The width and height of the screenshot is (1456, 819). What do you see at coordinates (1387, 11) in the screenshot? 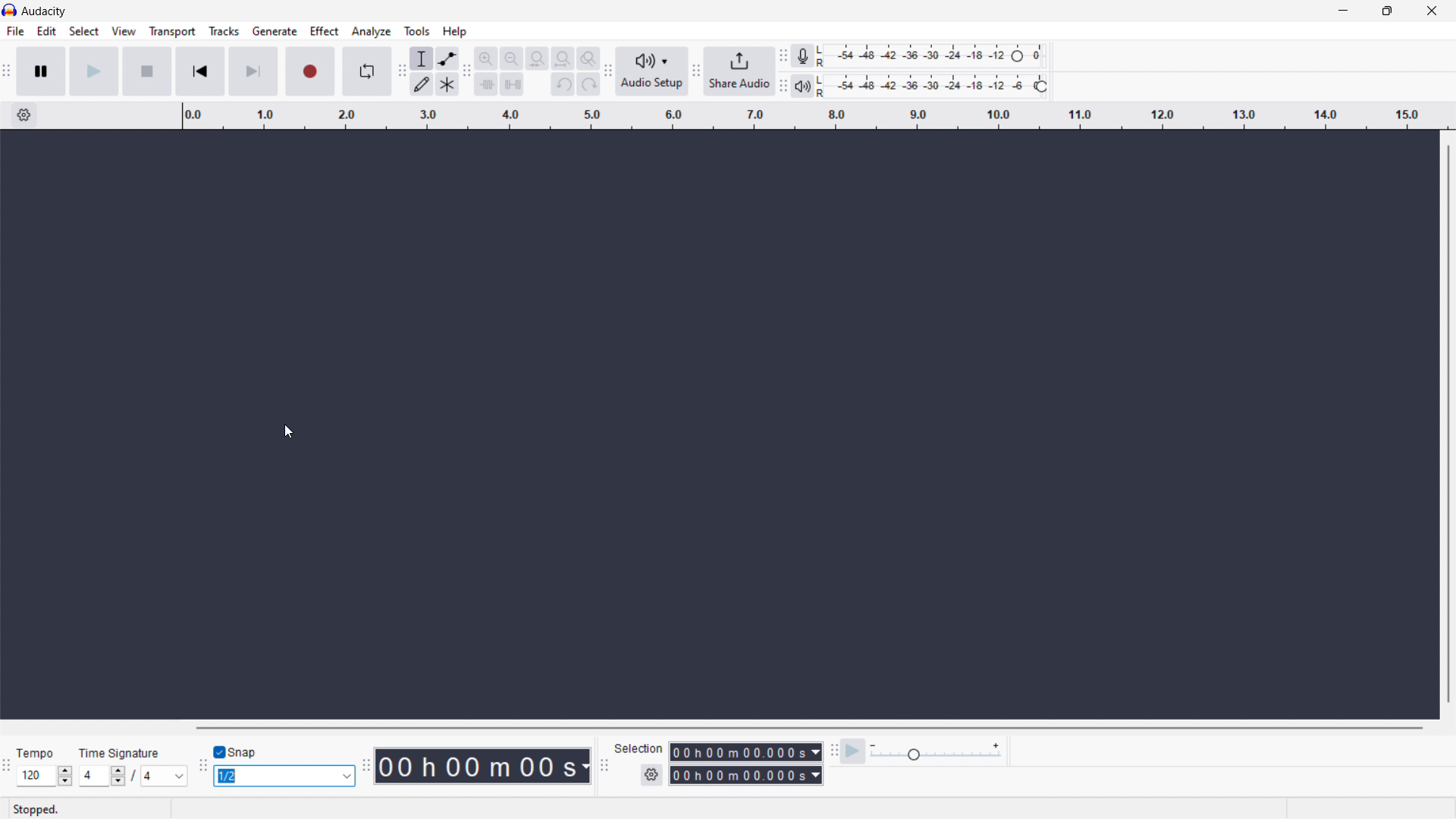
I see `Minimize/Restore` at bounding box center [1387, 11].